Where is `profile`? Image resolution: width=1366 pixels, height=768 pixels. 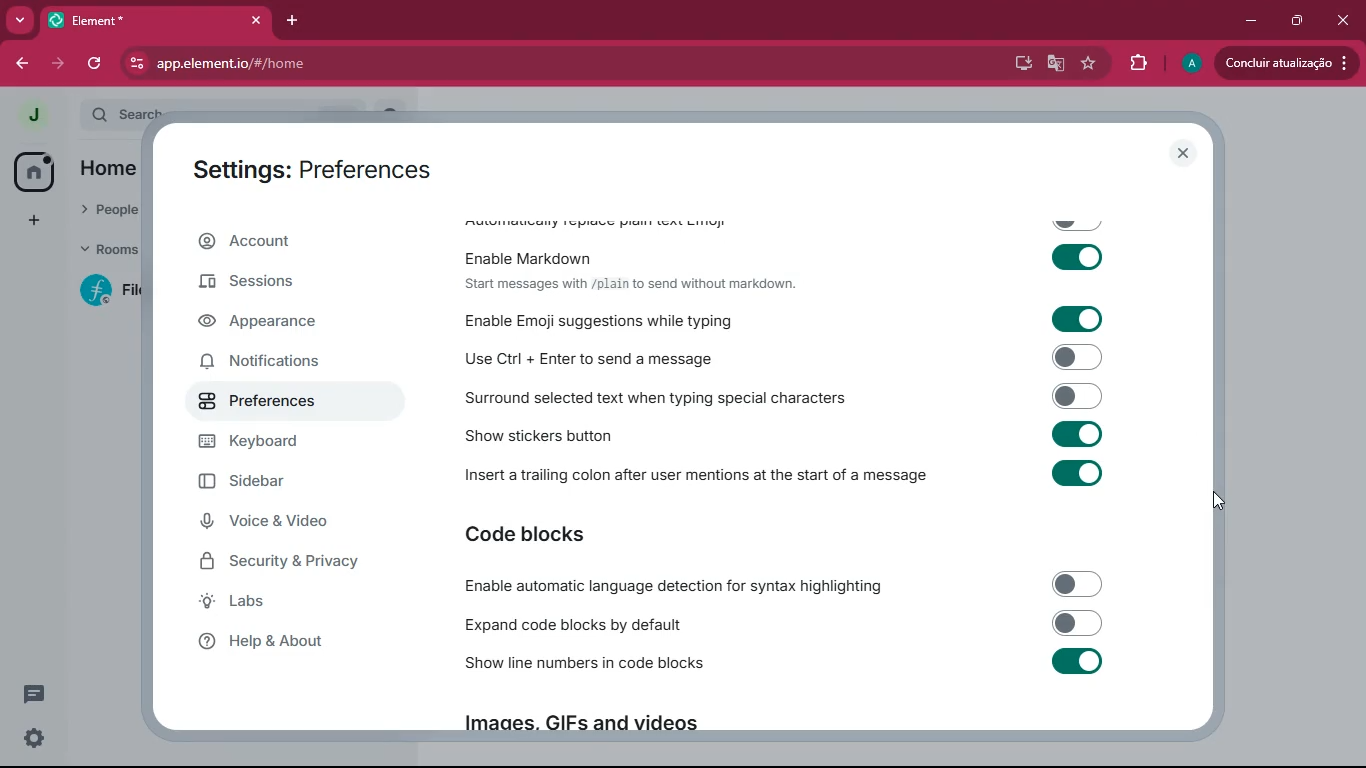
profile is located at coordinates (1191, 64).